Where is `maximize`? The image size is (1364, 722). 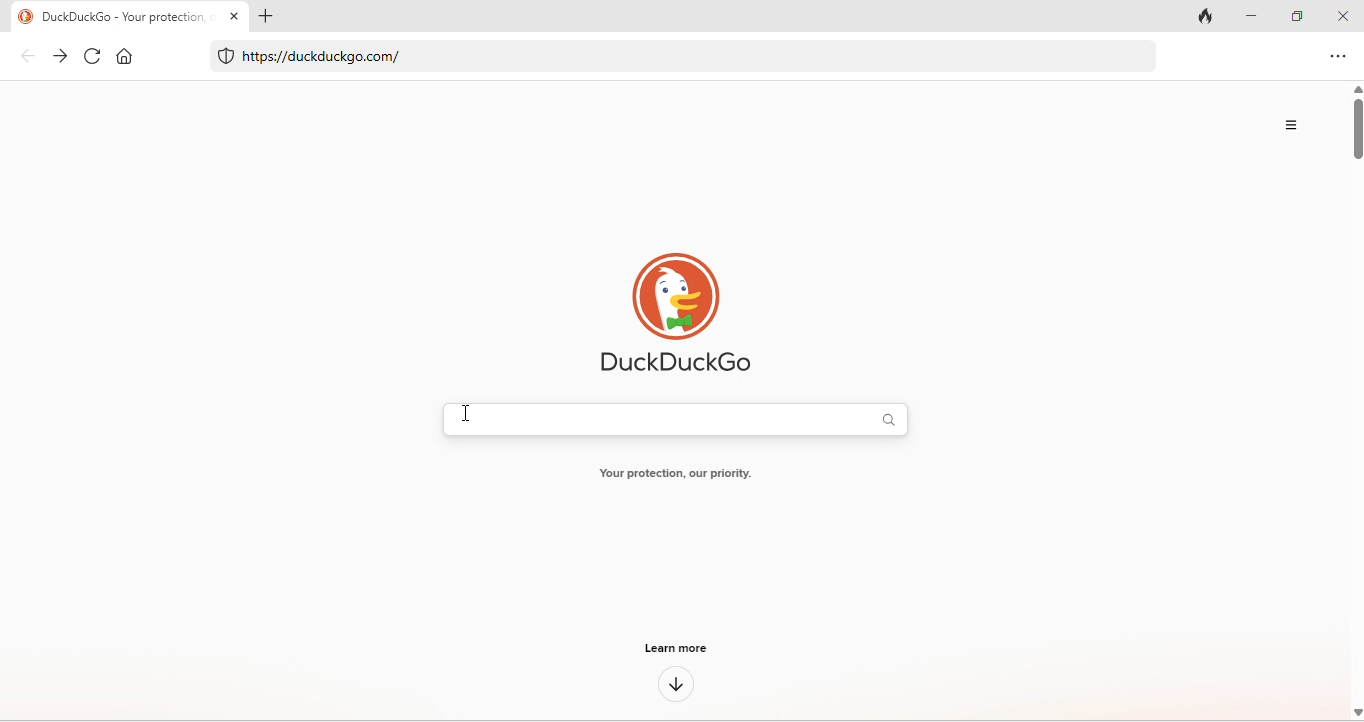 maximize is located at coordinates (1298, 14).